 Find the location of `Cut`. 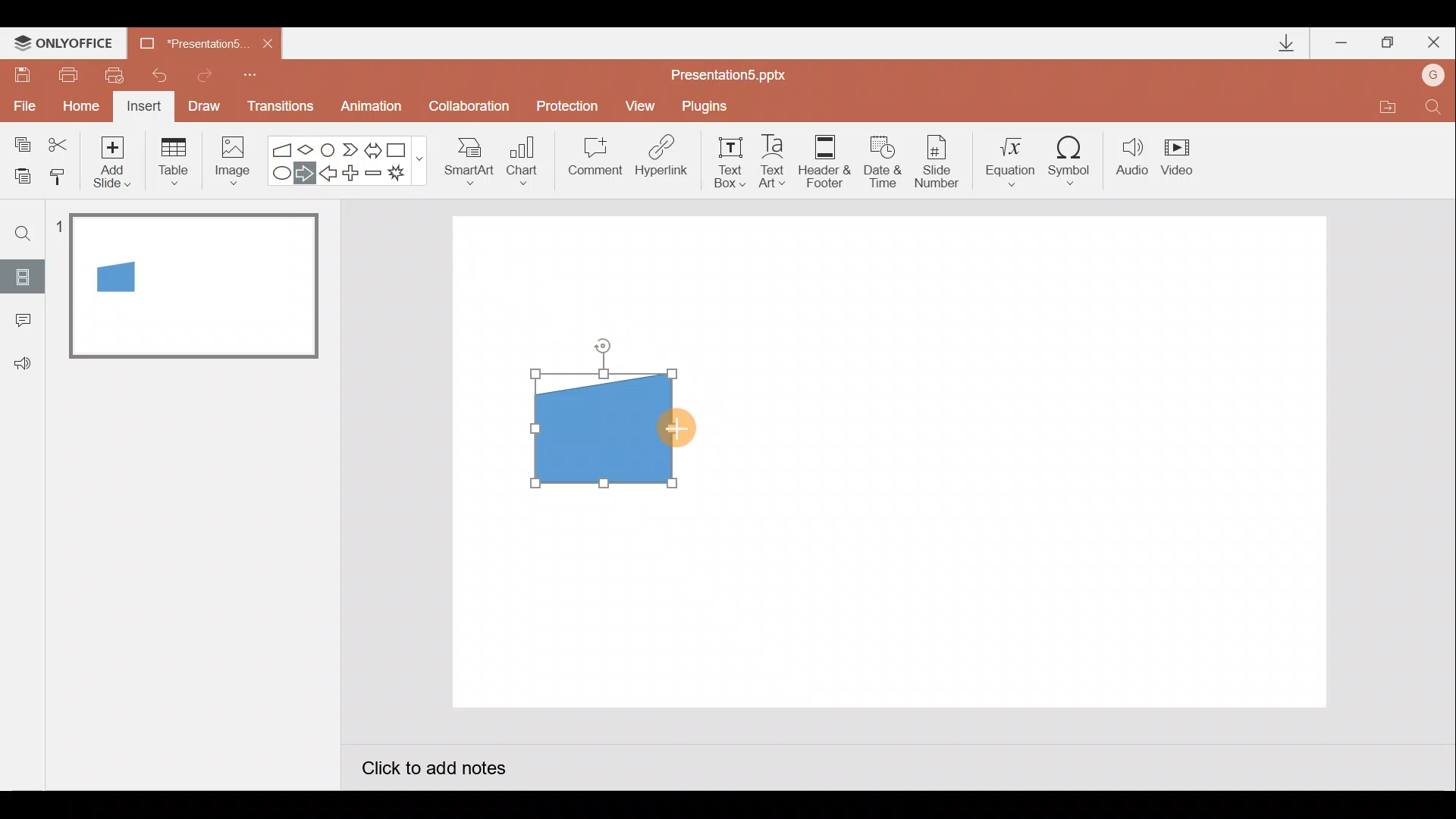

Cut is located at coordinates (61, 142).